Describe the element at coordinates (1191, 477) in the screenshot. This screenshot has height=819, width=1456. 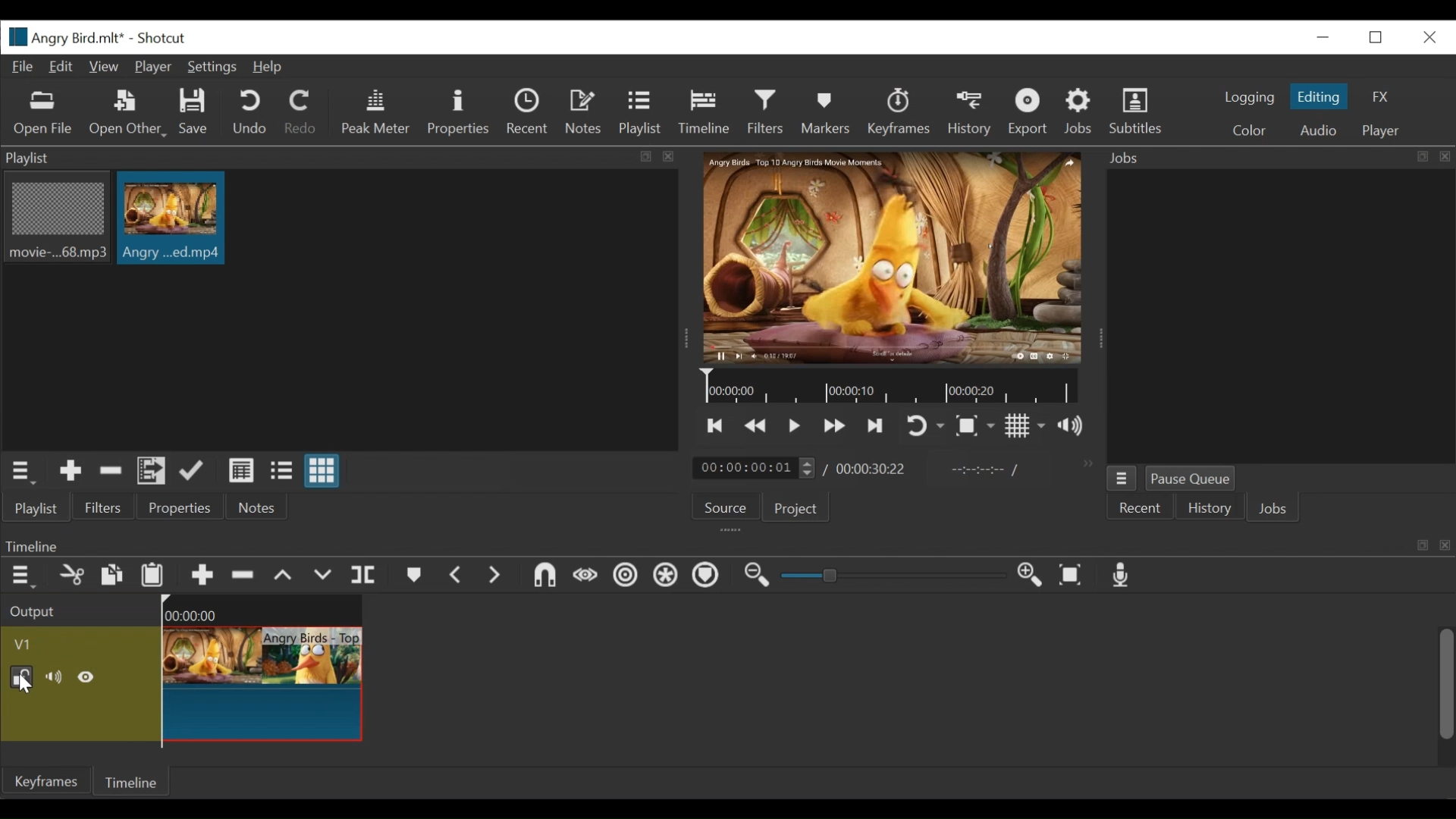
I see `Pause Queue` at that location.